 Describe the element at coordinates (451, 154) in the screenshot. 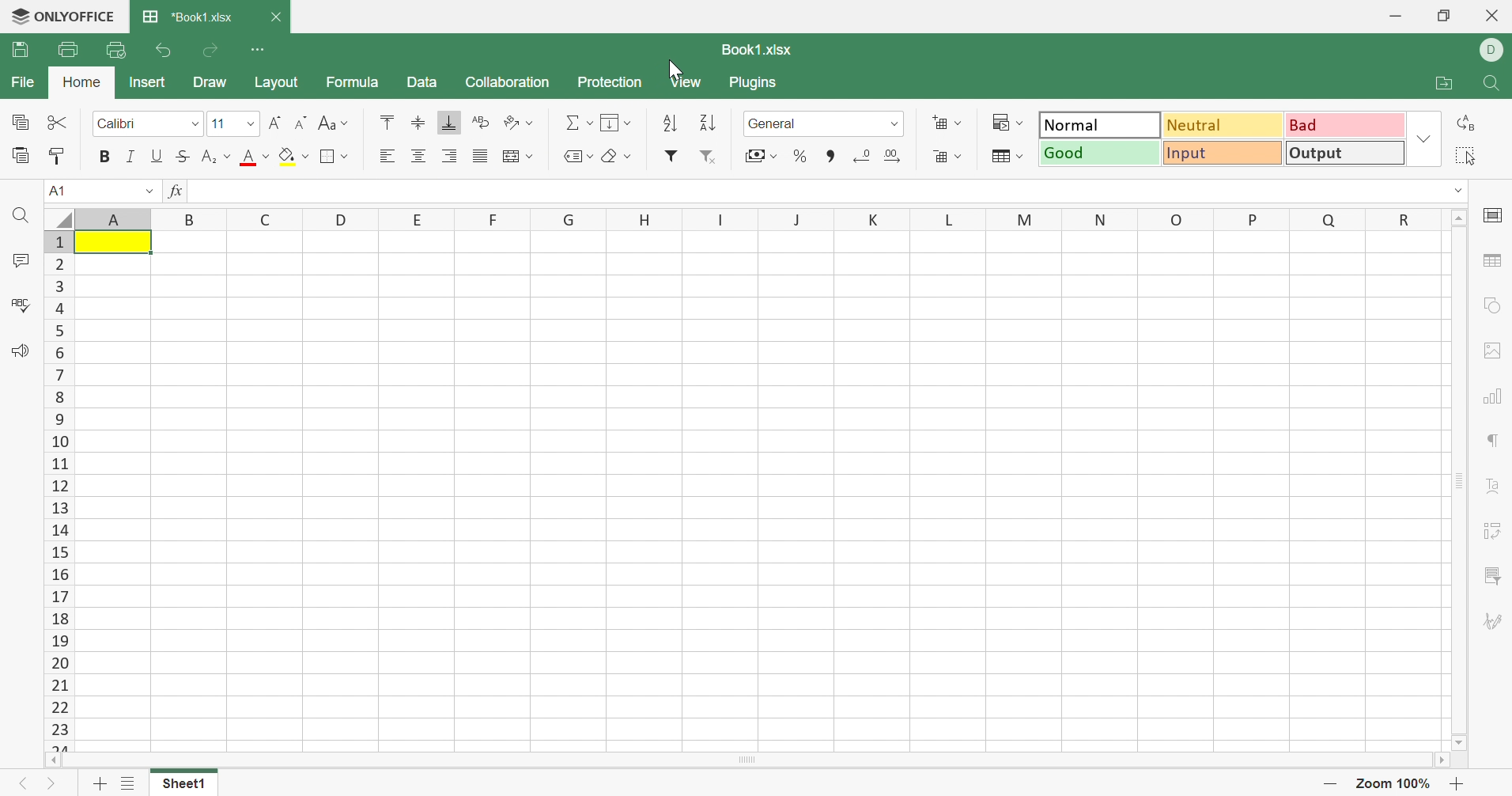

I see `Align Right` at that location.